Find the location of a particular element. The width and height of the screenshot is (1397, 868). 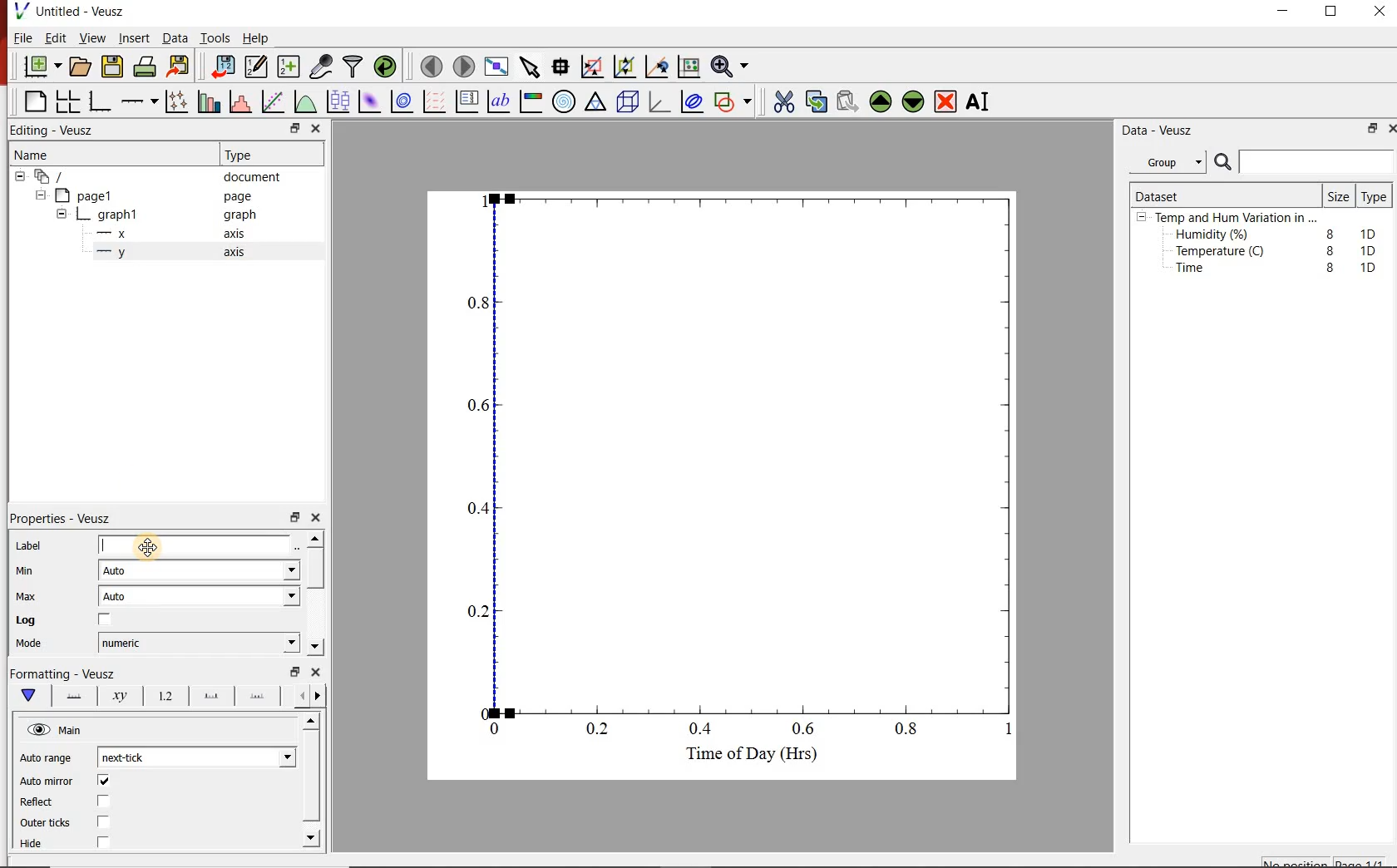

blank page is located at coordinates (33, 100).